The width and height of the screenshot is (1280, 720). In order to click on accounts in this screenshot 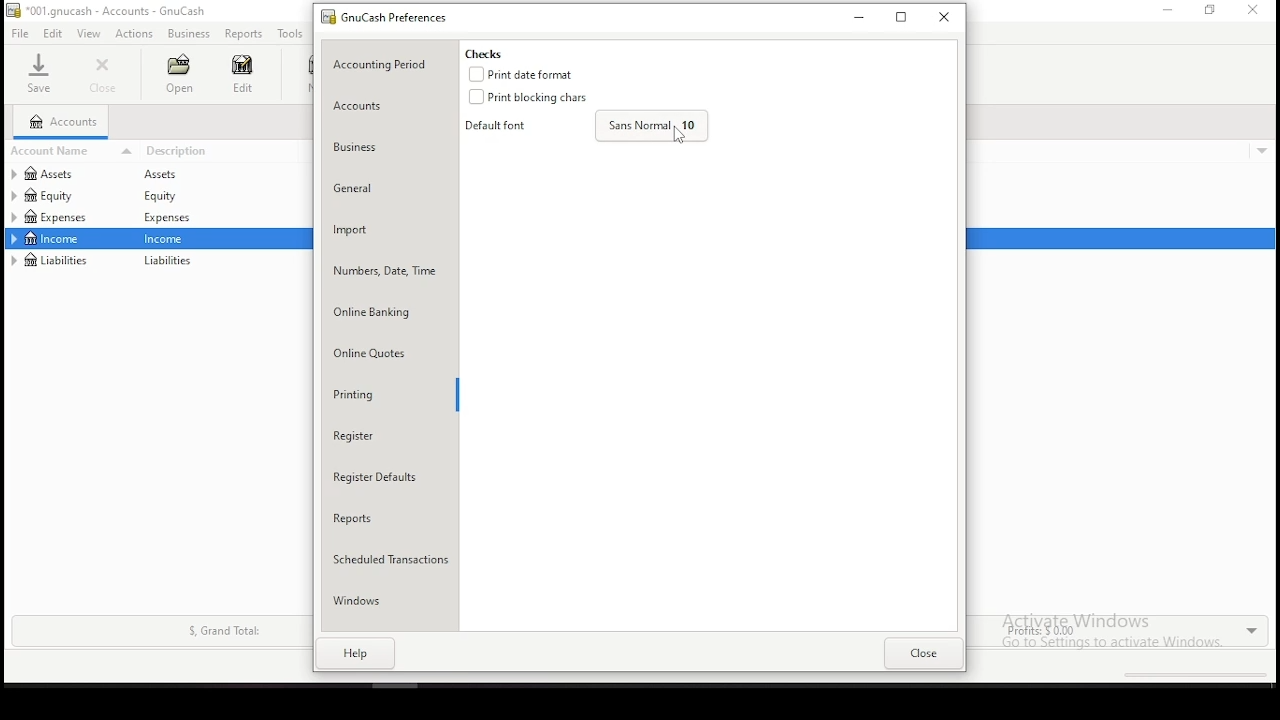, I will do `click(62, 122)`.